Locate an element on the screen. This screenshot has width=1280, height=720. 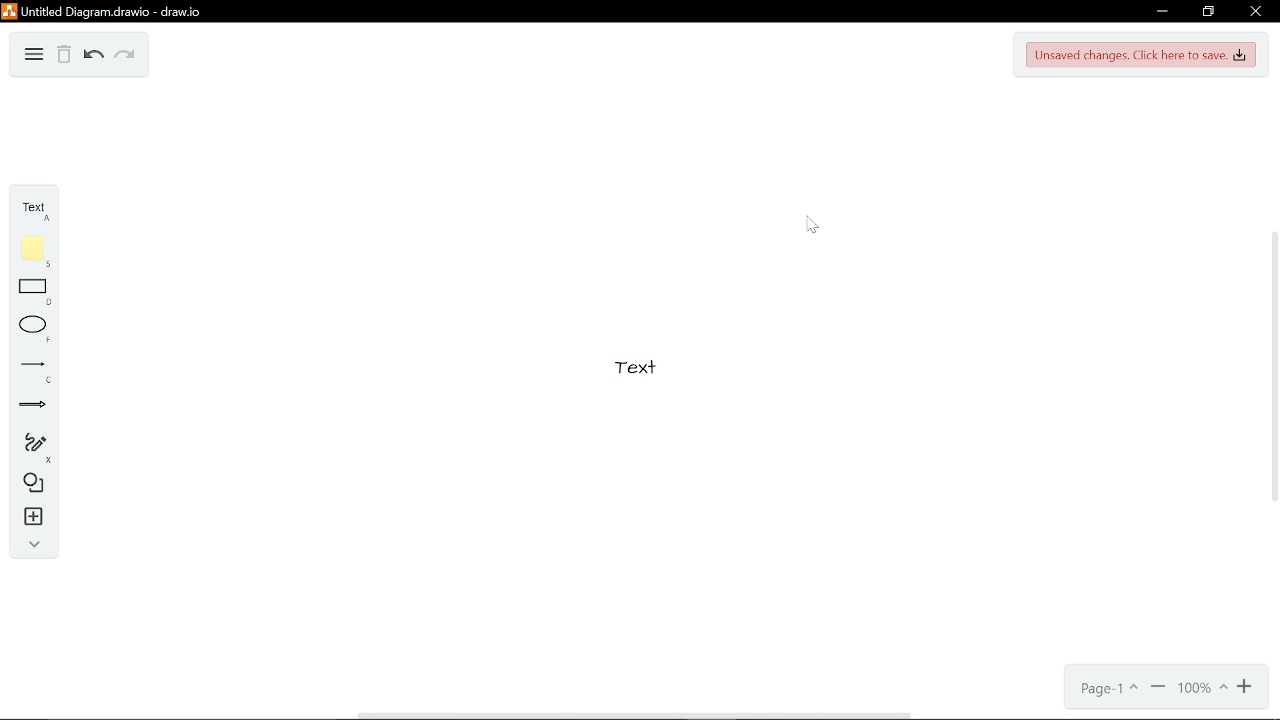
Arrow is located at coordinates (29, 408).